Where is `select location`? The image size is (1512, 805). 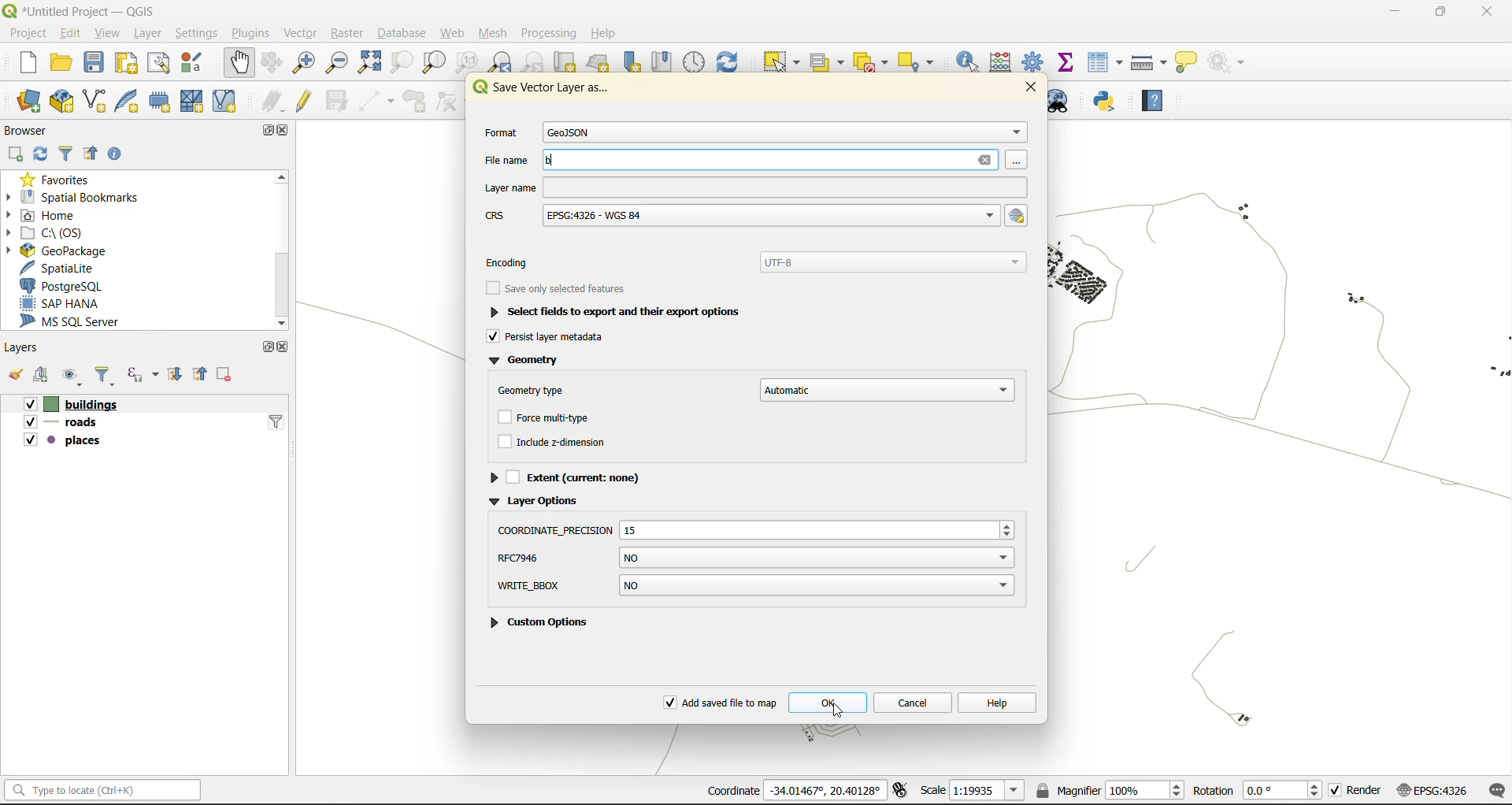
select location is located at coordinates (921, 62).